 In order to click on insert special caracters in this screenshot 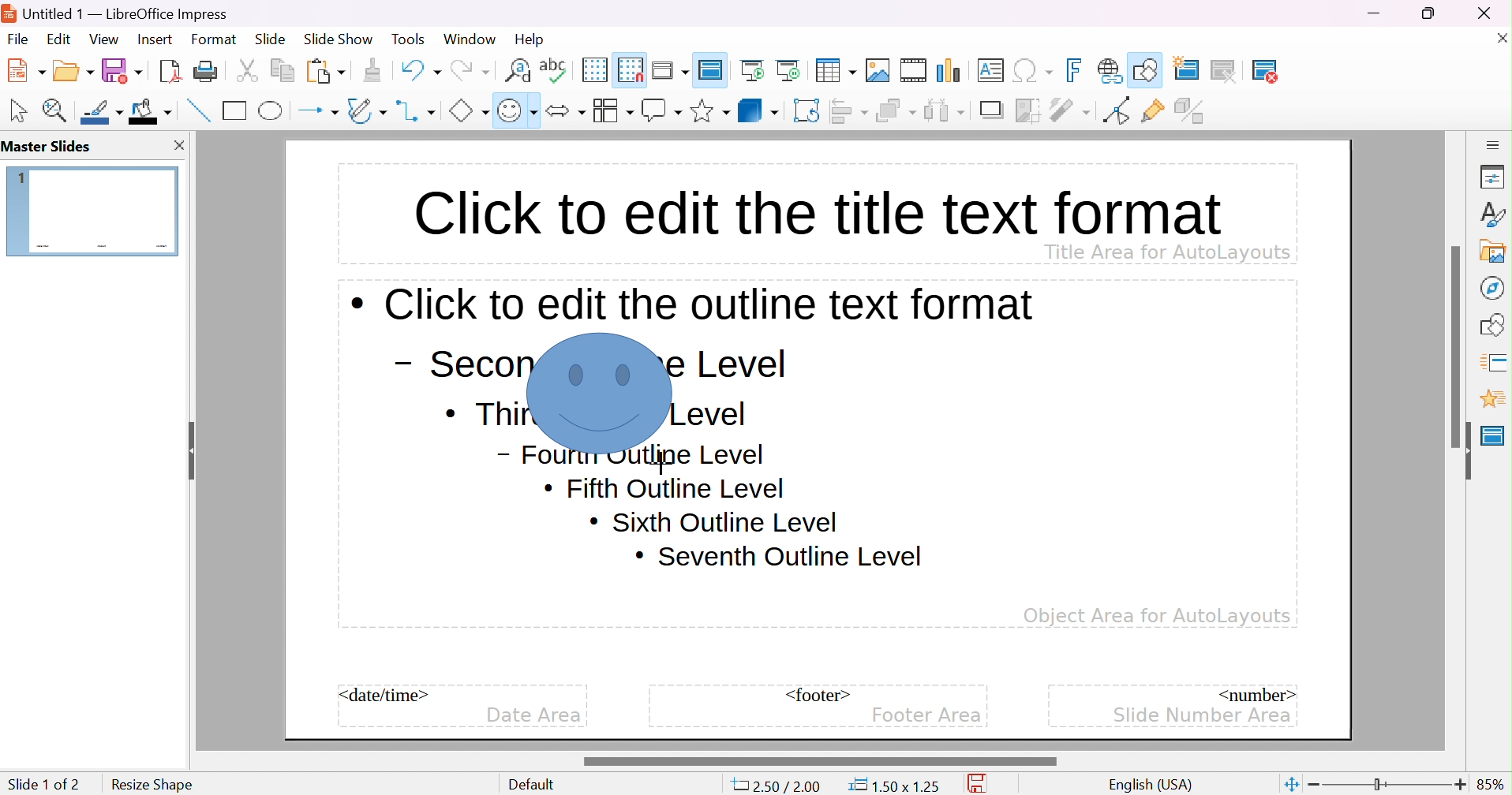, I will do `click(1033, 71)`.